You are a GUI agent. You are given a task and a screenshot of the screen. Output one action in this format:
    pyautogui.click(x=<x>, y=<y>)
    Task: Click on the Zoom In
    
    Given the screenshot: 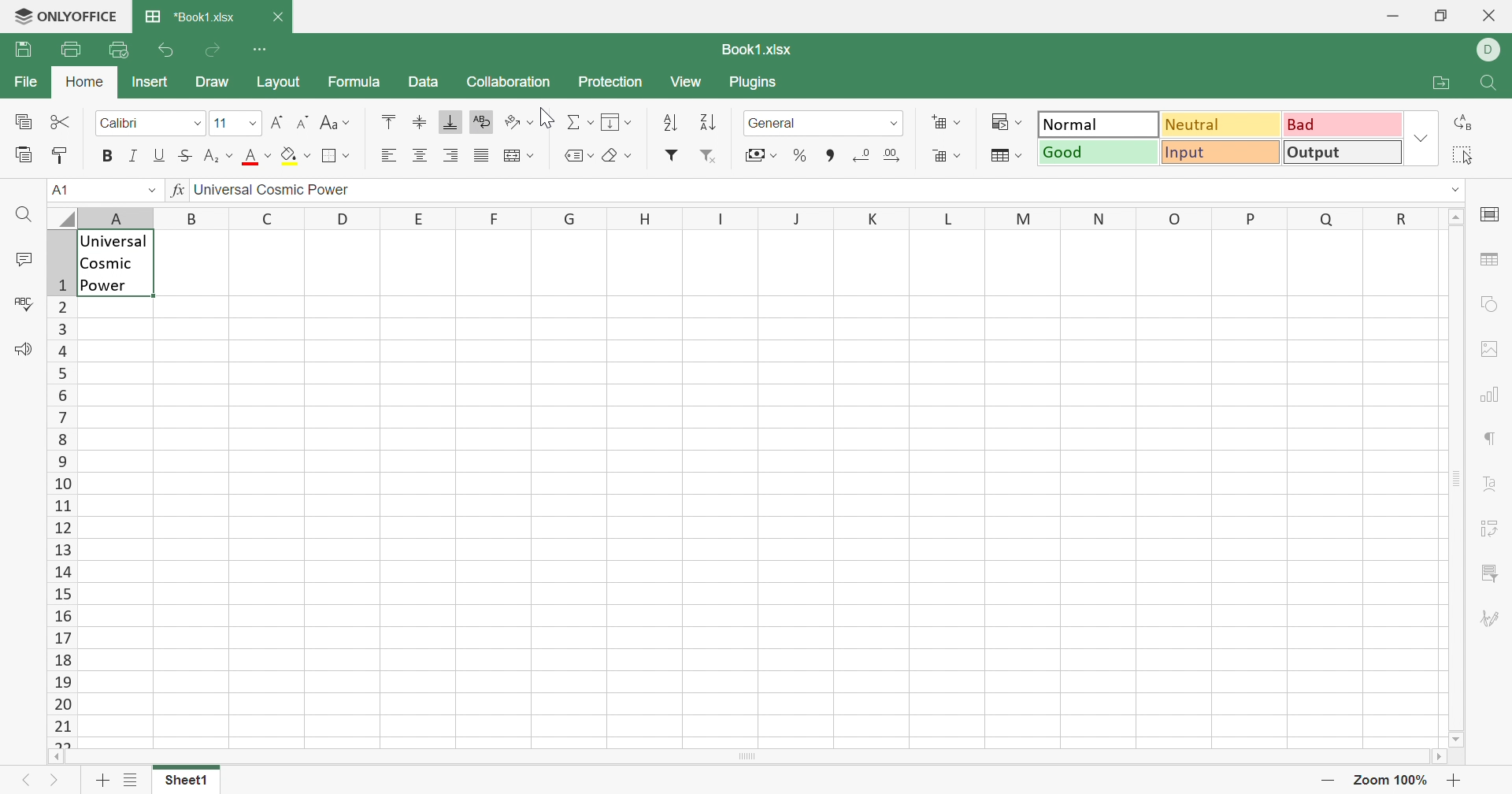 What is the action you would take?
    pyautogui.click(x=1458, y=781)
    